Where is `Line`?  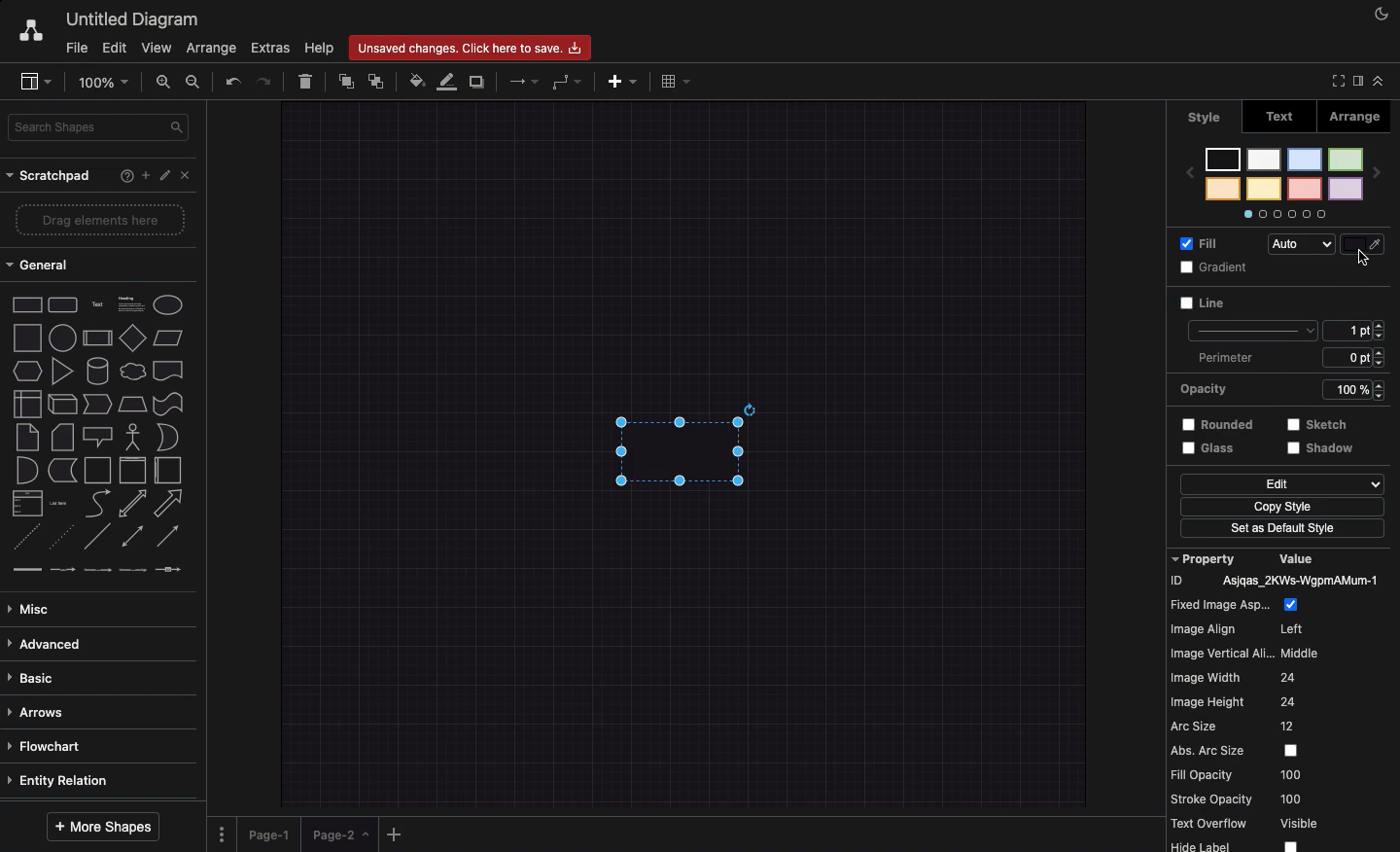
Line is located at coordinates (1246, 316).